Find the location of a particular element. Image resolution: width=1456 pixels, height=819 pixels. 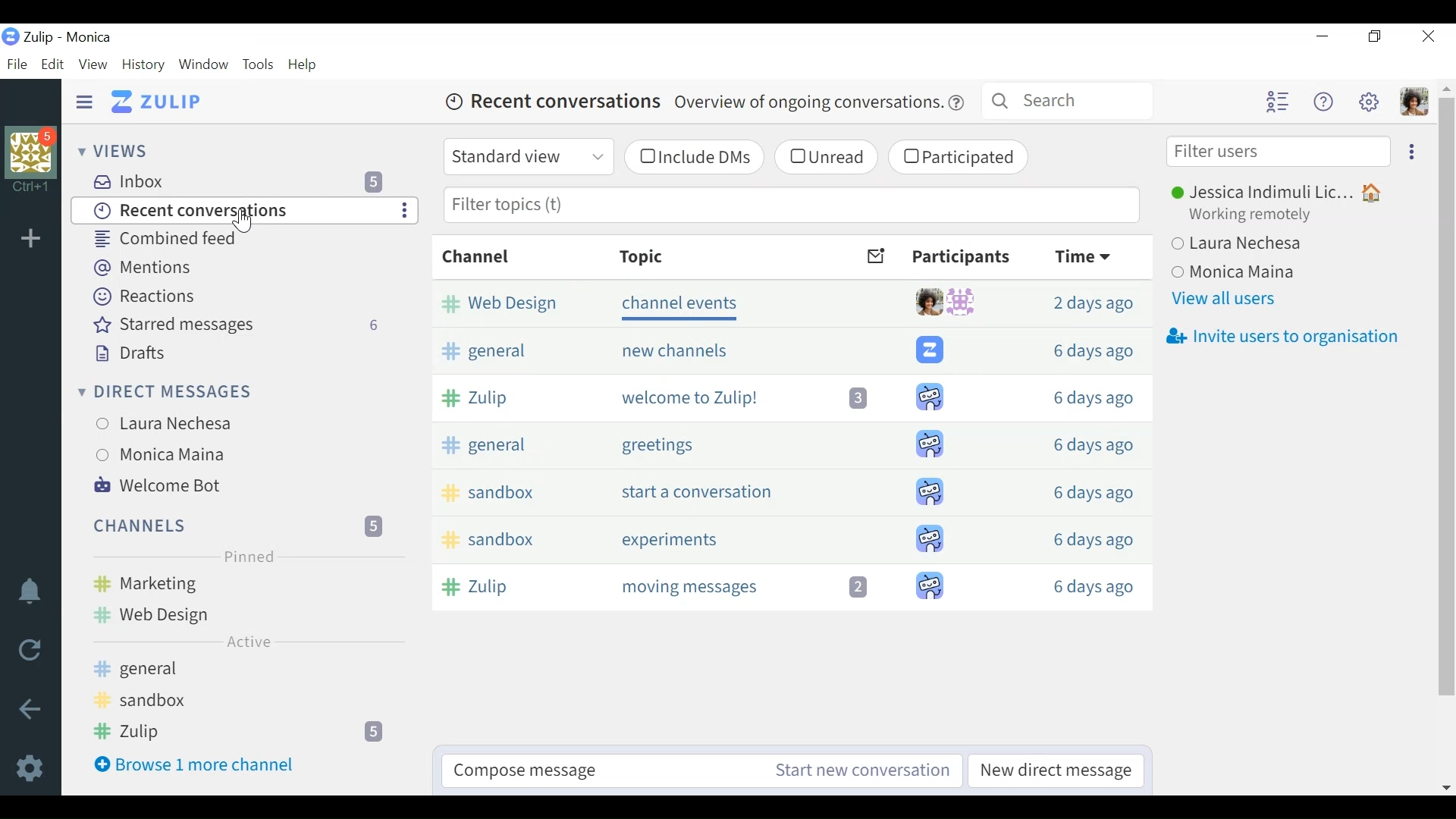

Standard view is located at coordinates (527, 156).